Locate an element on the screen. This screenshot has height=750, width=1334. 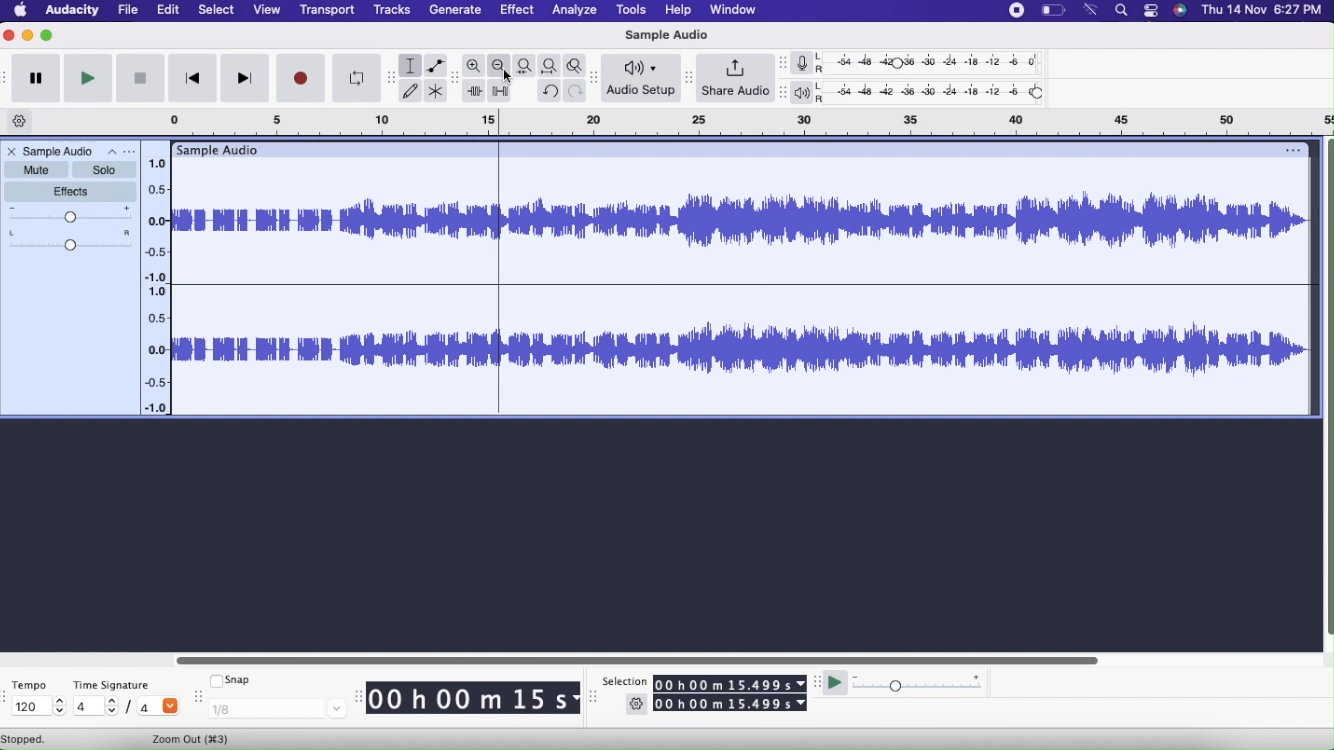
Slider is located at coordinates (156, 281).